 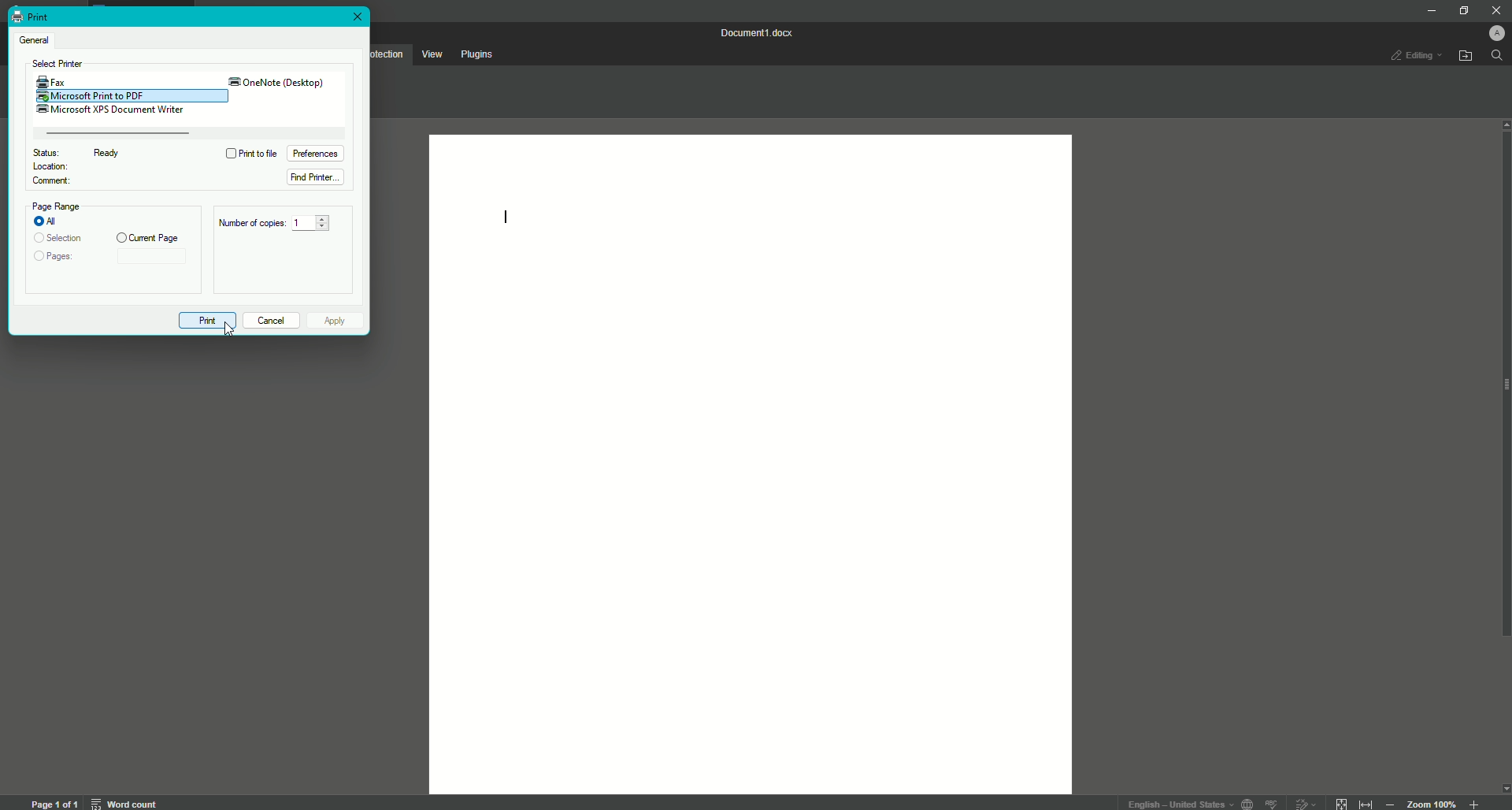 What do you see at coordinates (59, 65) in the screenshot?
I see `Select printer` at bounding box center [59, 65].